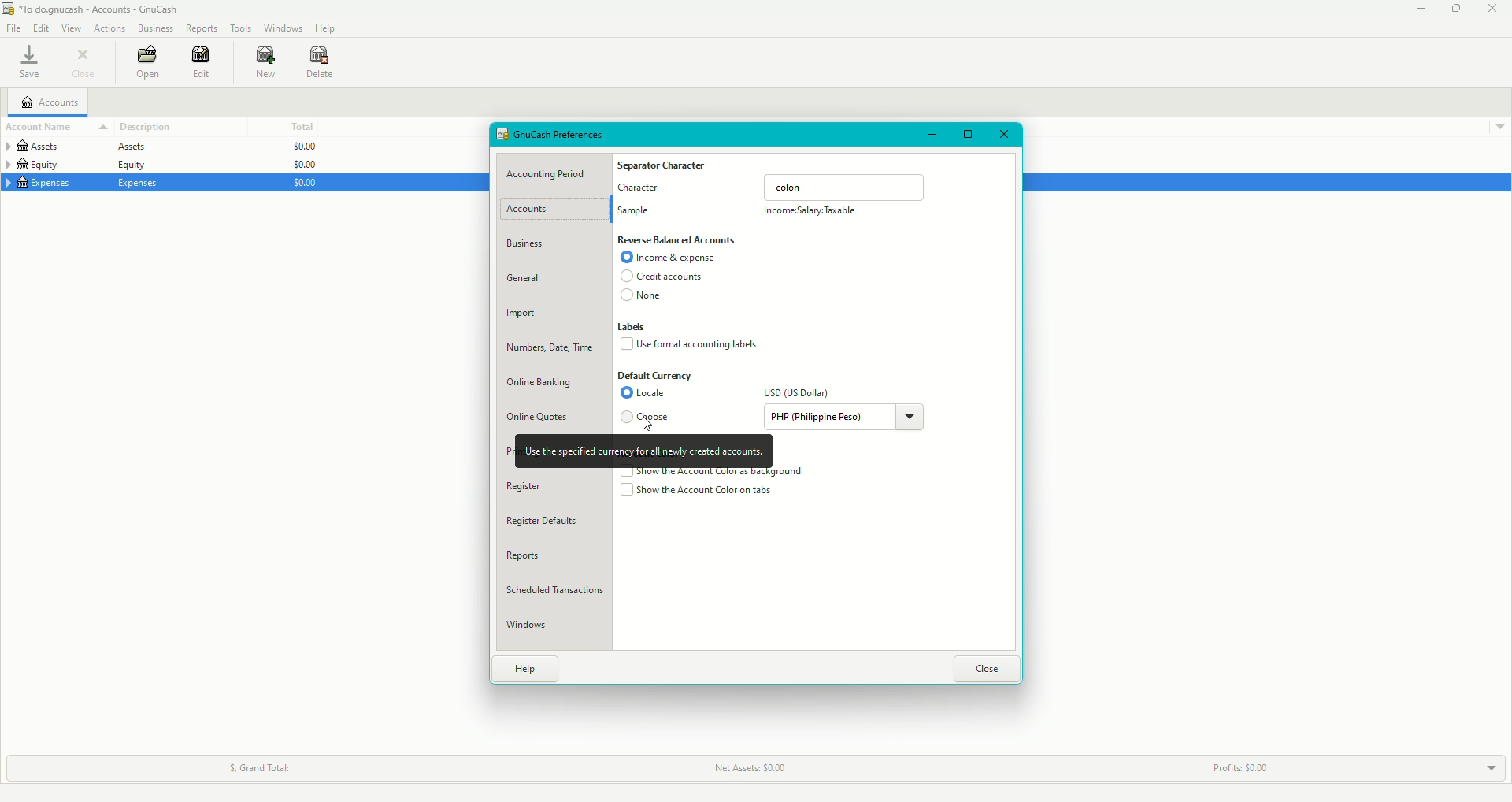  Describe the element at coordinates (644, 425) in the screenshot. I see `cursor` at that location.